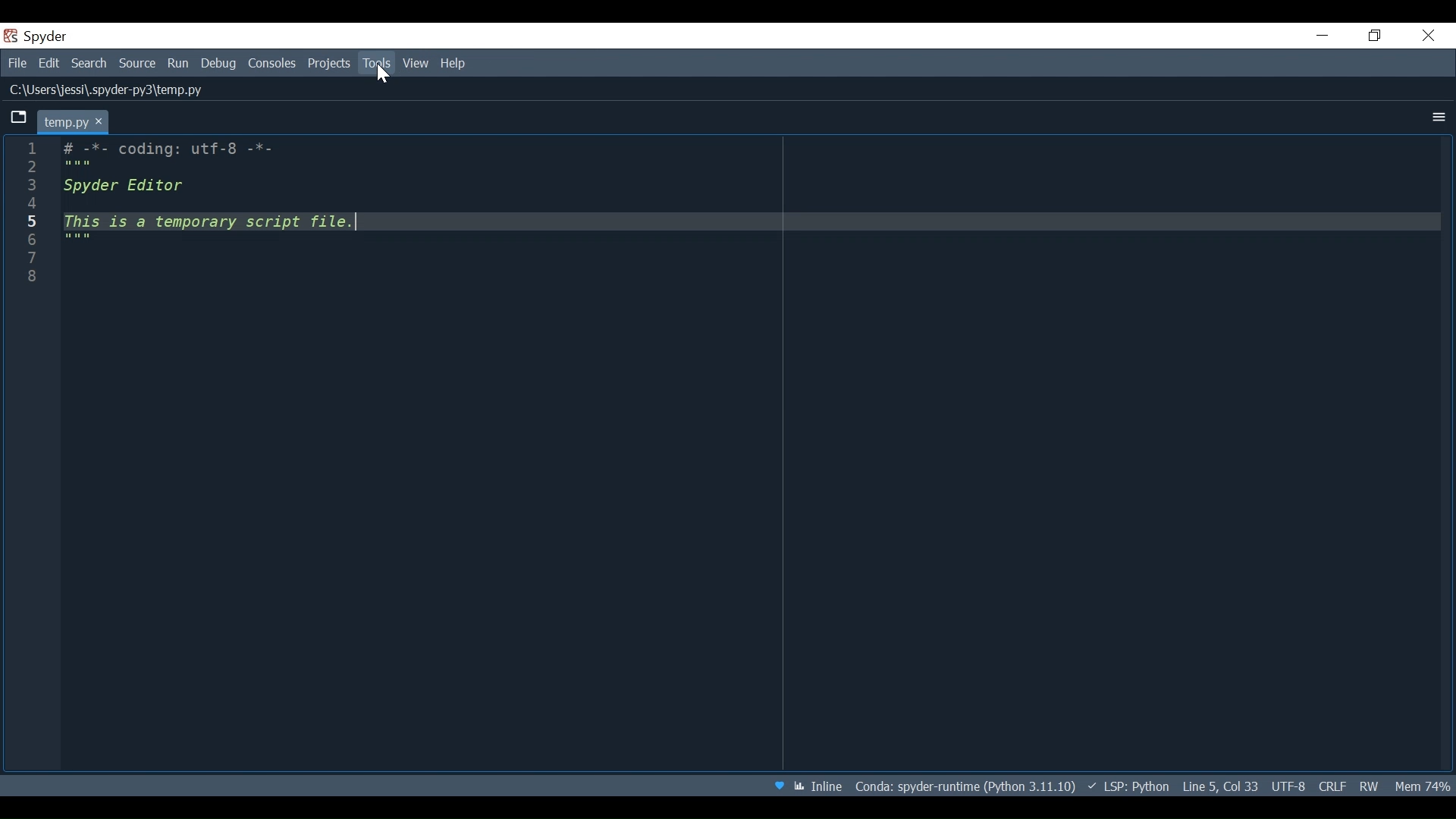  What do you see at coordinates (963, 784) in the screenshot?
I see `File Directory` at bounding box center [963, 784].